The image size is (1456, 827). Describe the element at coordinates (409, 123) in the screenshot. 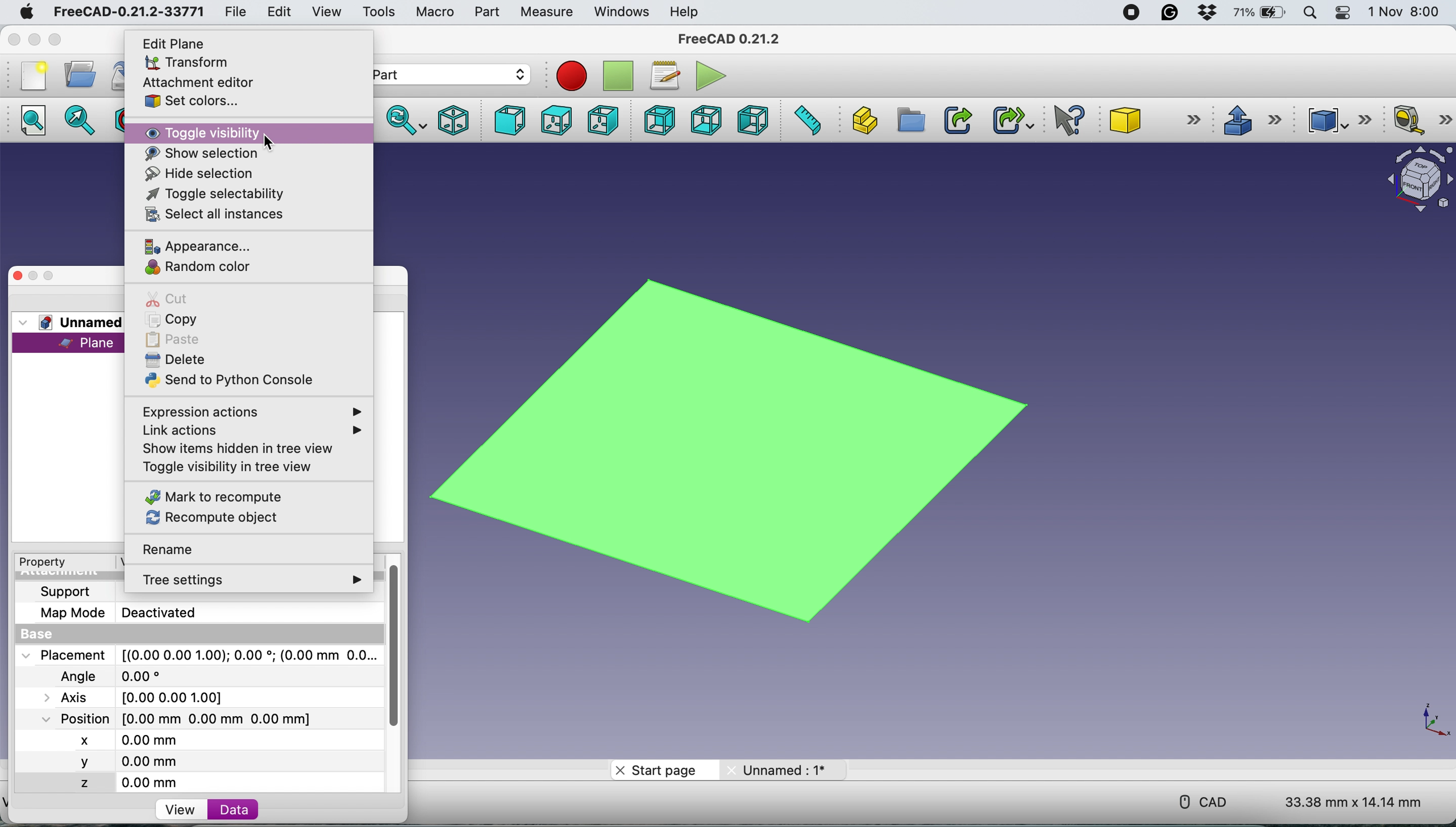

I see `sync view` at that location.